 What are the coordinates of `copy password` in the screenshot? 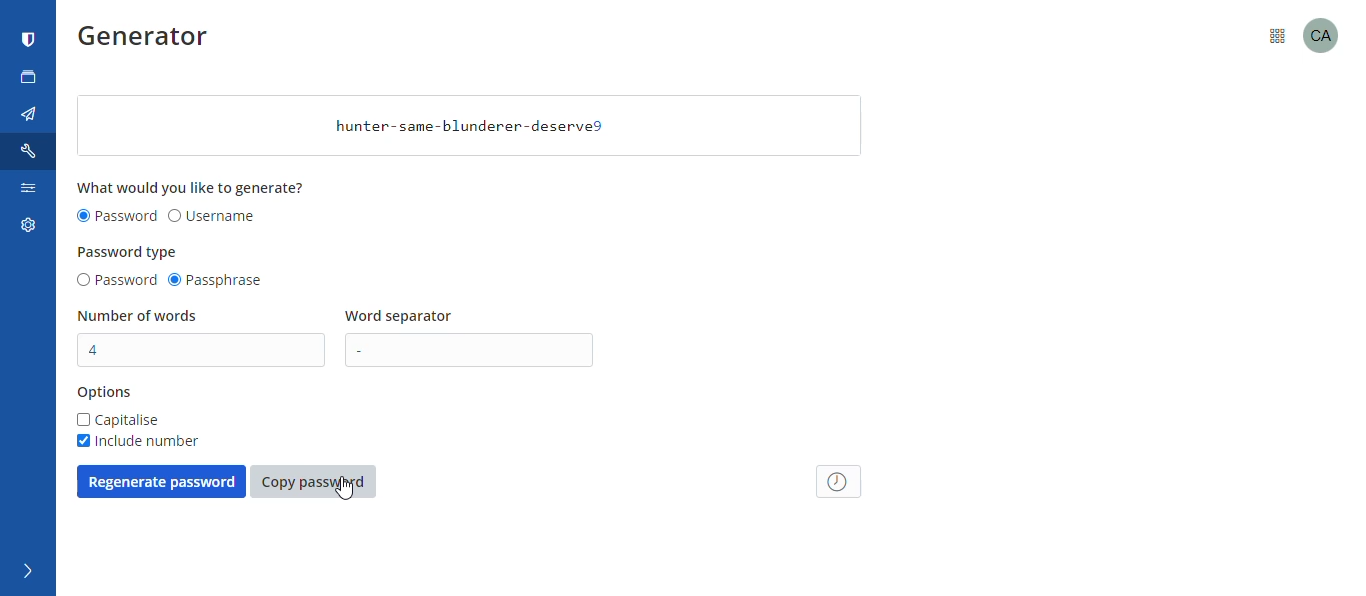 It's located at (313, 482).